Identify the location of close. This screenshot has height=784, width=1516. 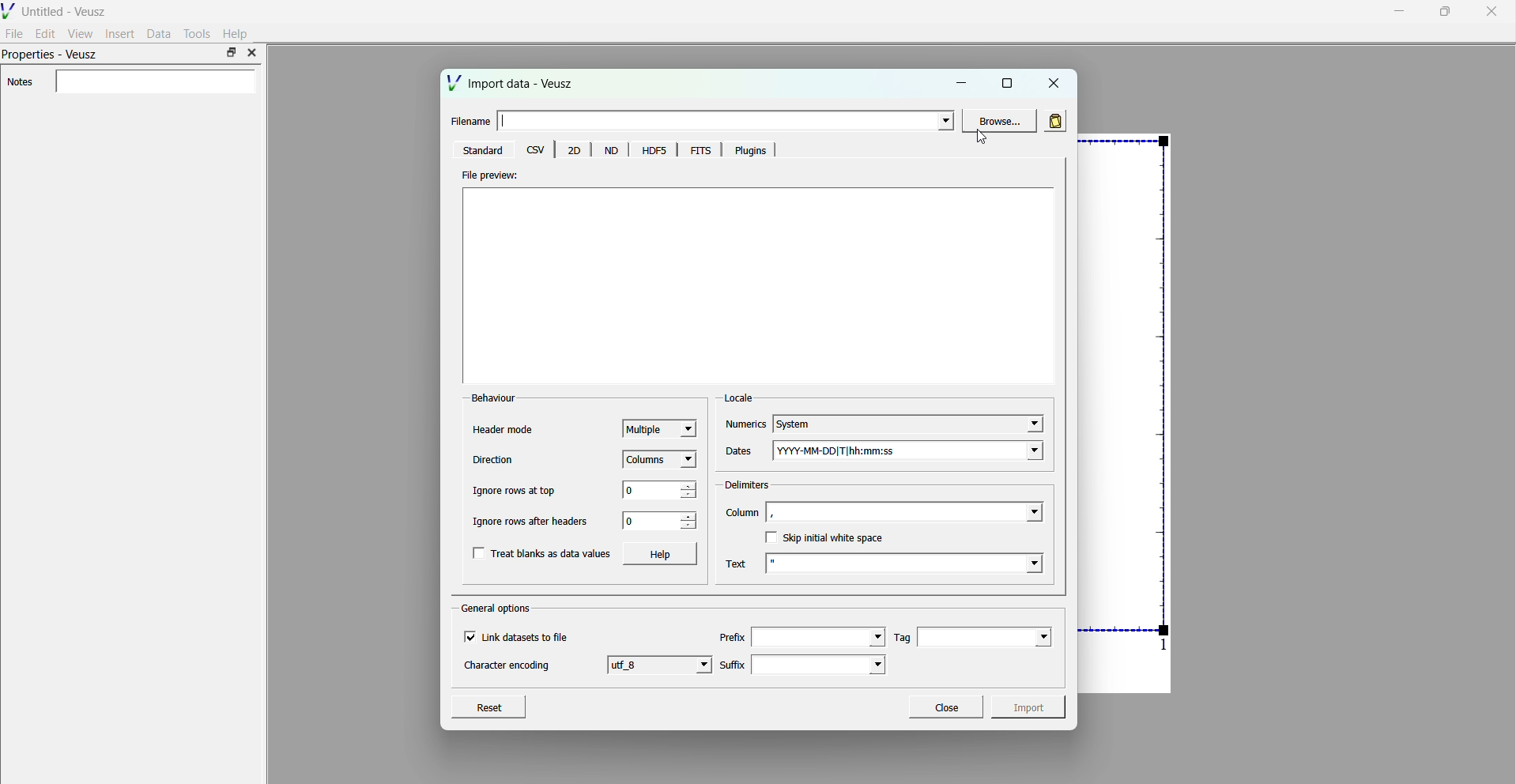
(251, 53).